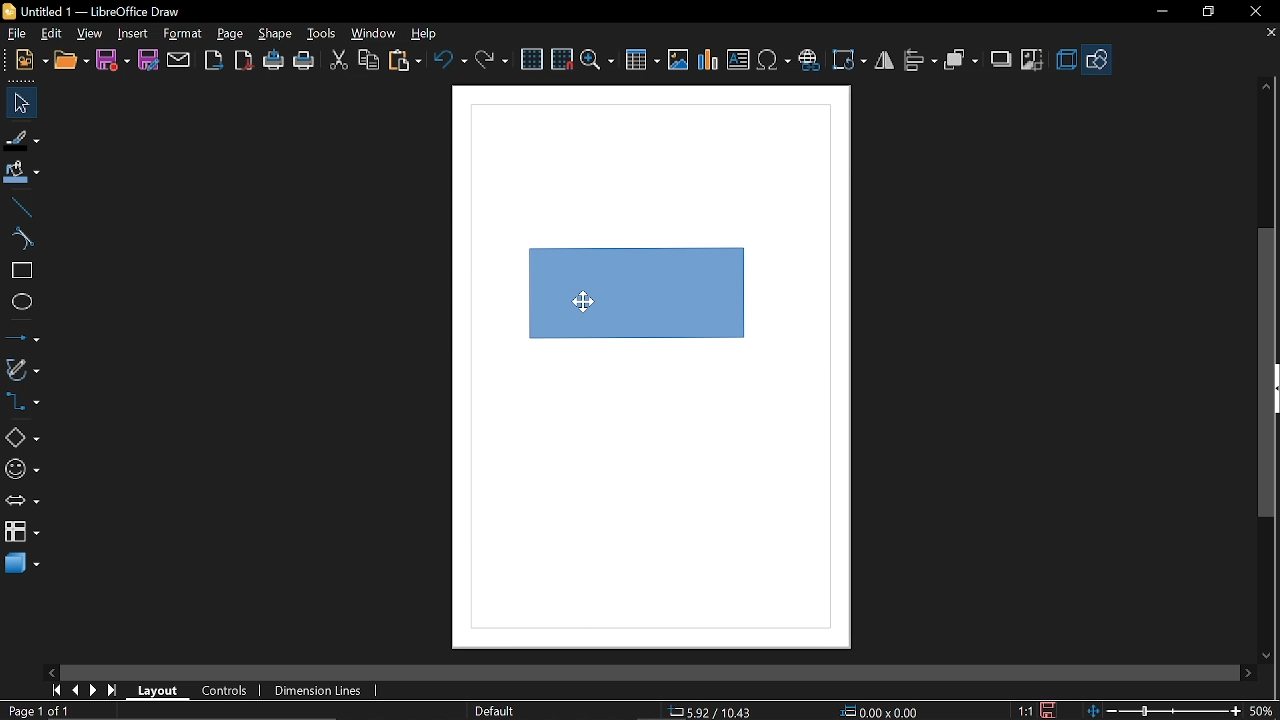 This screenshot has height=720, width=1280. I want to click on close tab, so click(1270, 34).